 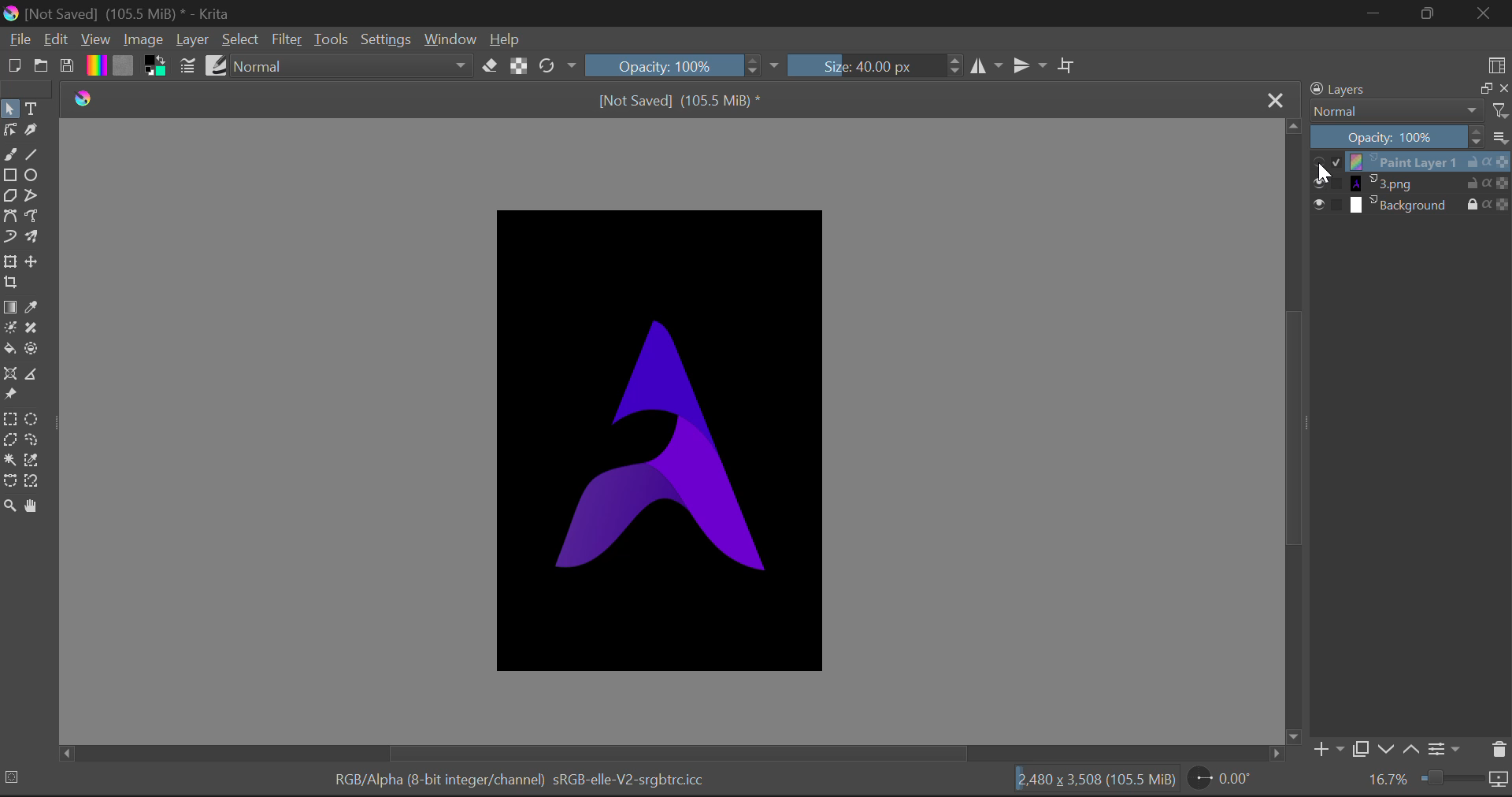 I want to click on Zoom, so click(x=11, y=506).